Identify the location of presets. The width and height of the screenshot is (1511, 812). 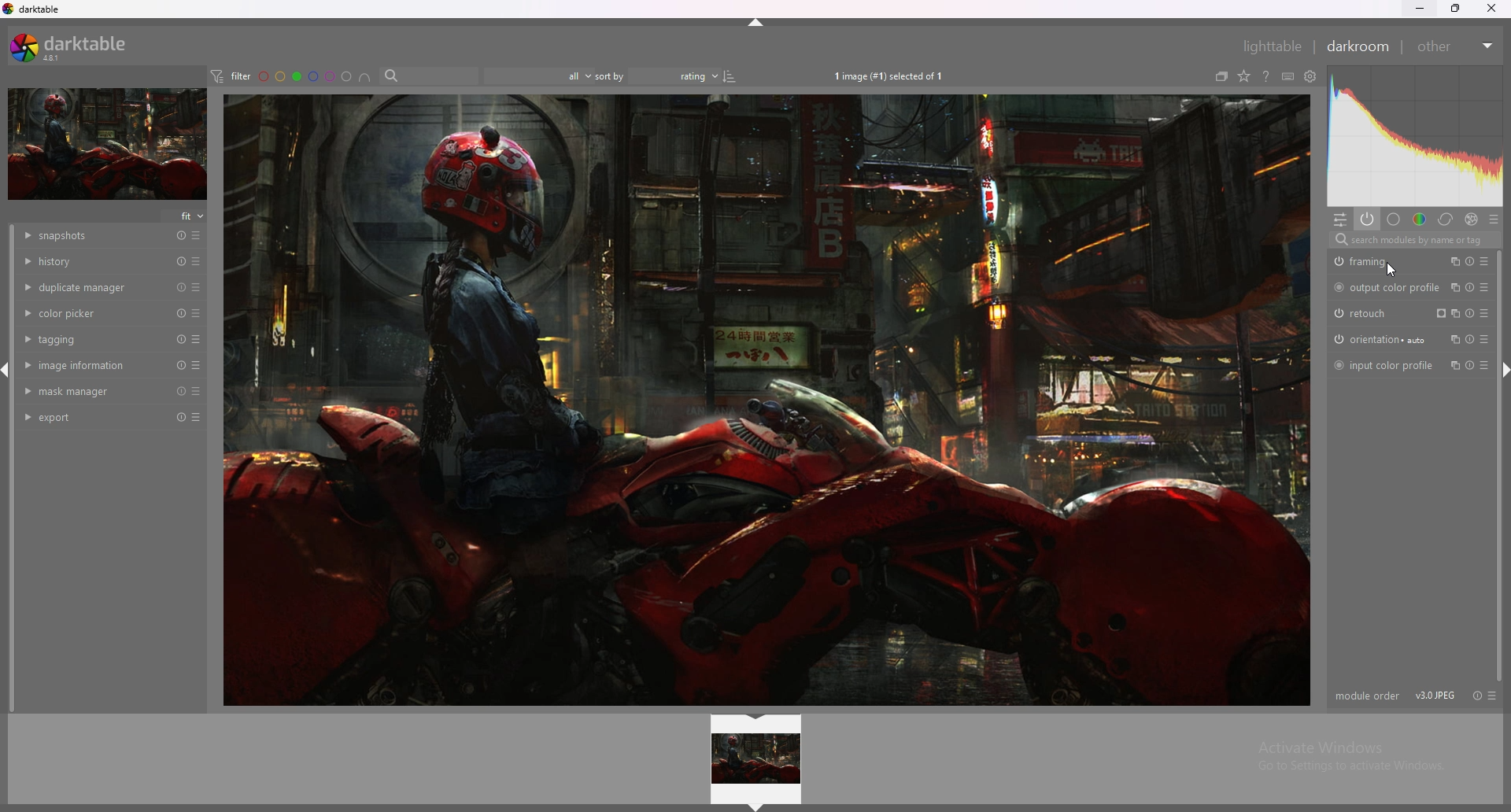
(197, 390).